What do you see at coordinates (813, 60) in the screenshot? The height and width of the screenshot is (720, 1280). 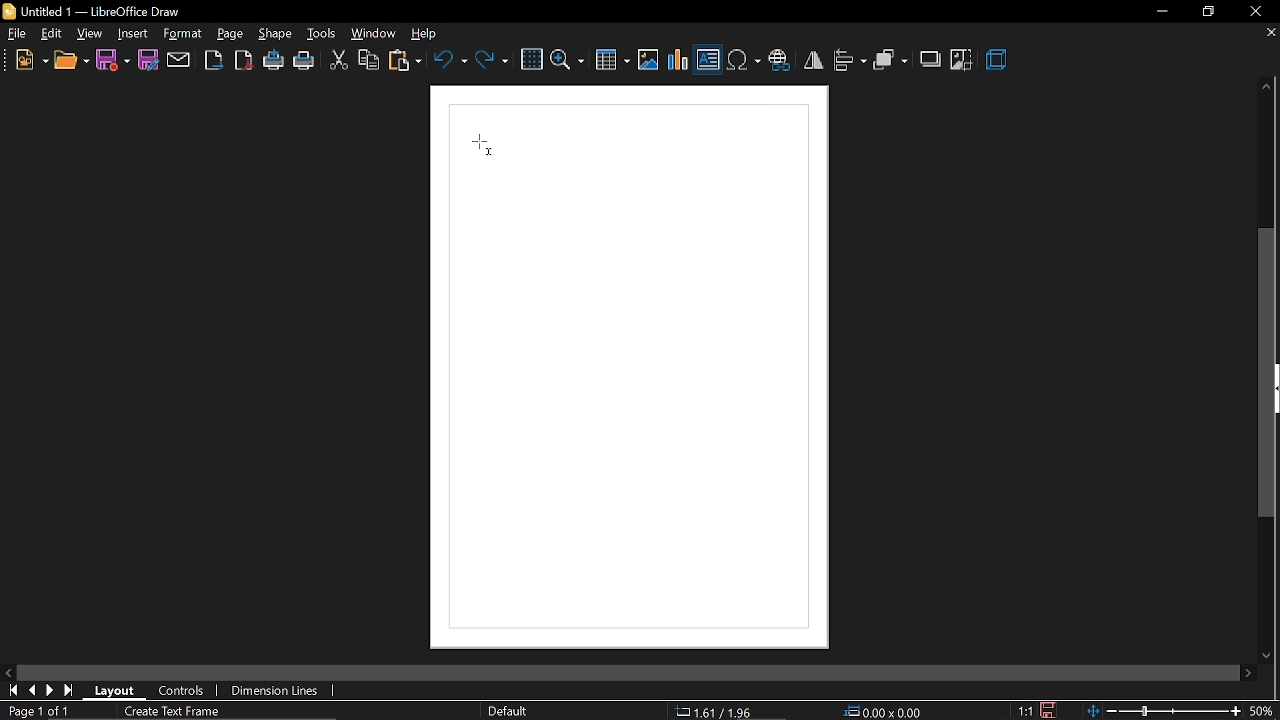 I see `flip` at bounding box center [813, 60].